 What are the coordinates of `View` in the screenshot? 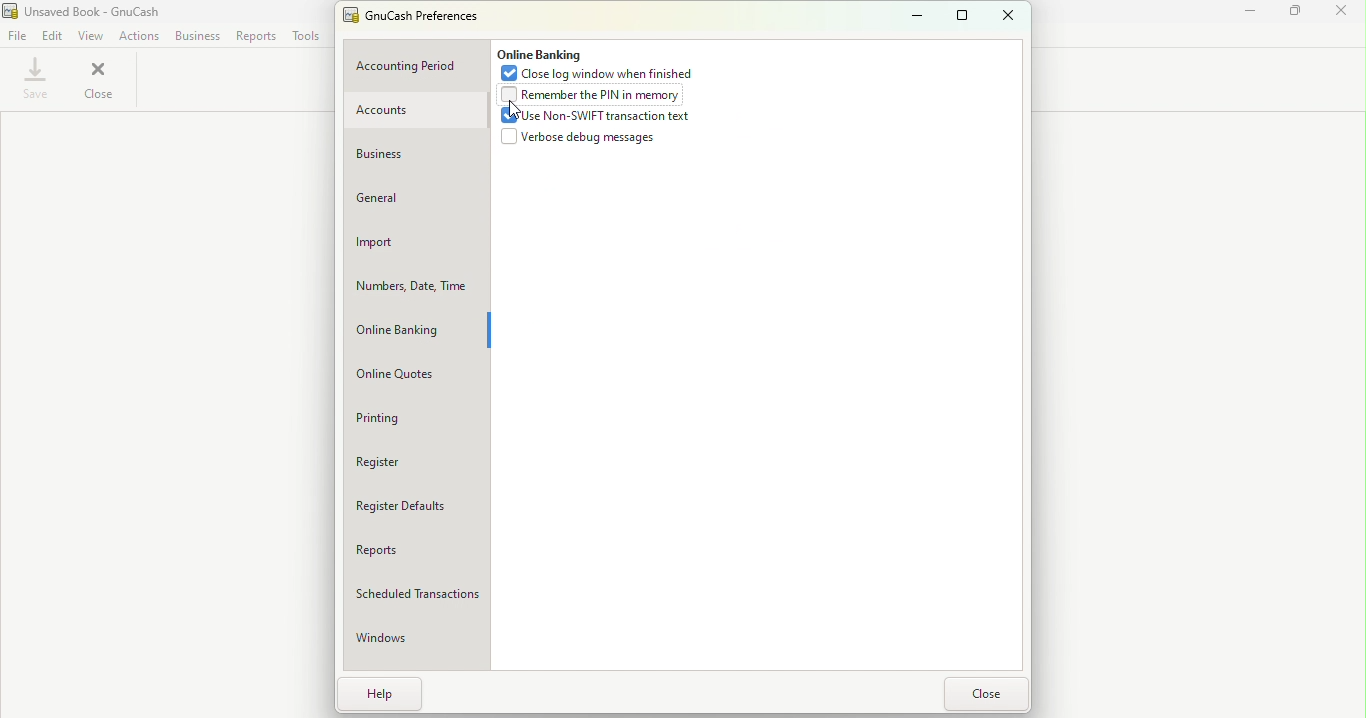 It's located at (89, 36).